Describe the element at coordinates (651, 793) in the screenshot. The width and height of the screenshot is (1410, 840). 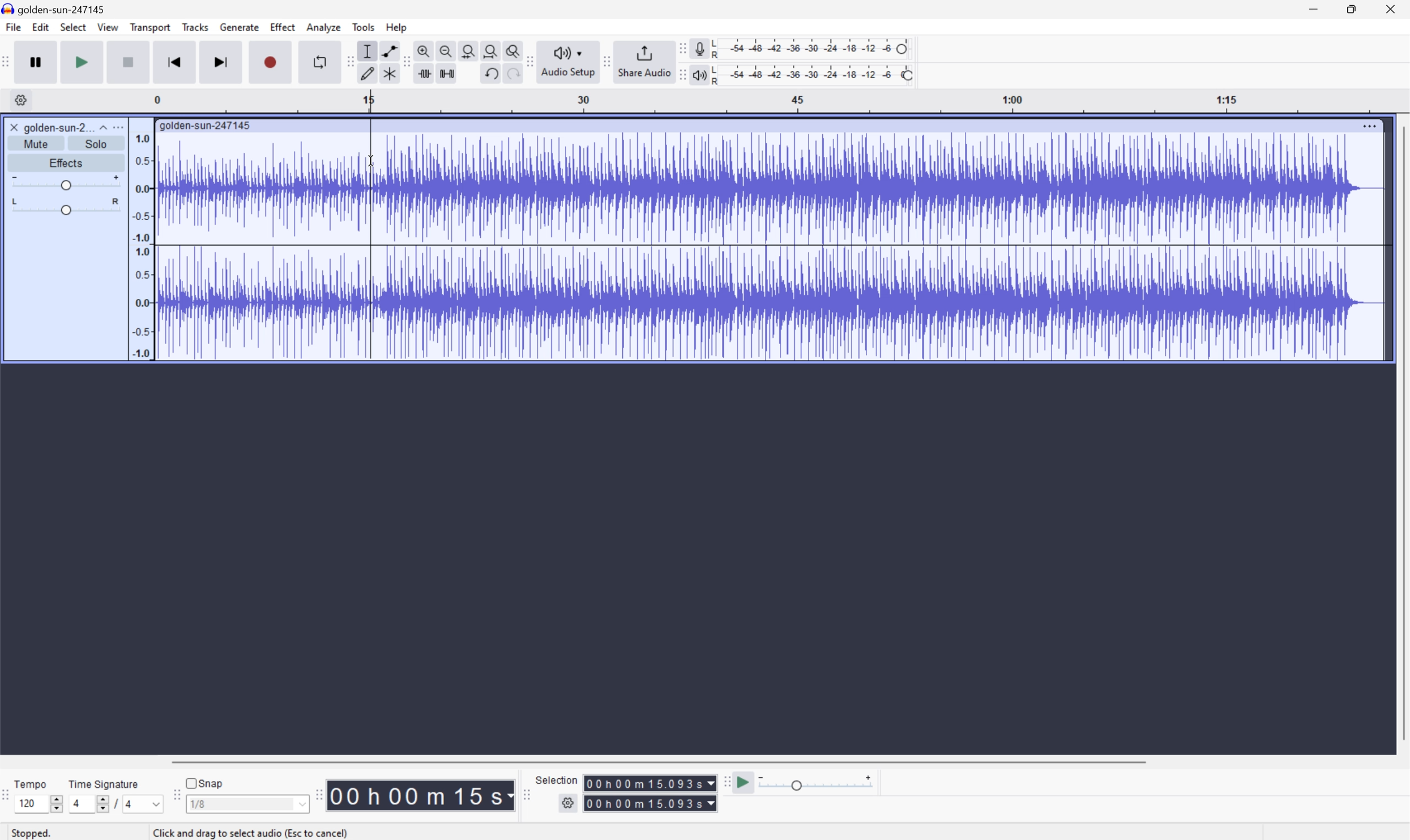
I see `Selection` at that location.